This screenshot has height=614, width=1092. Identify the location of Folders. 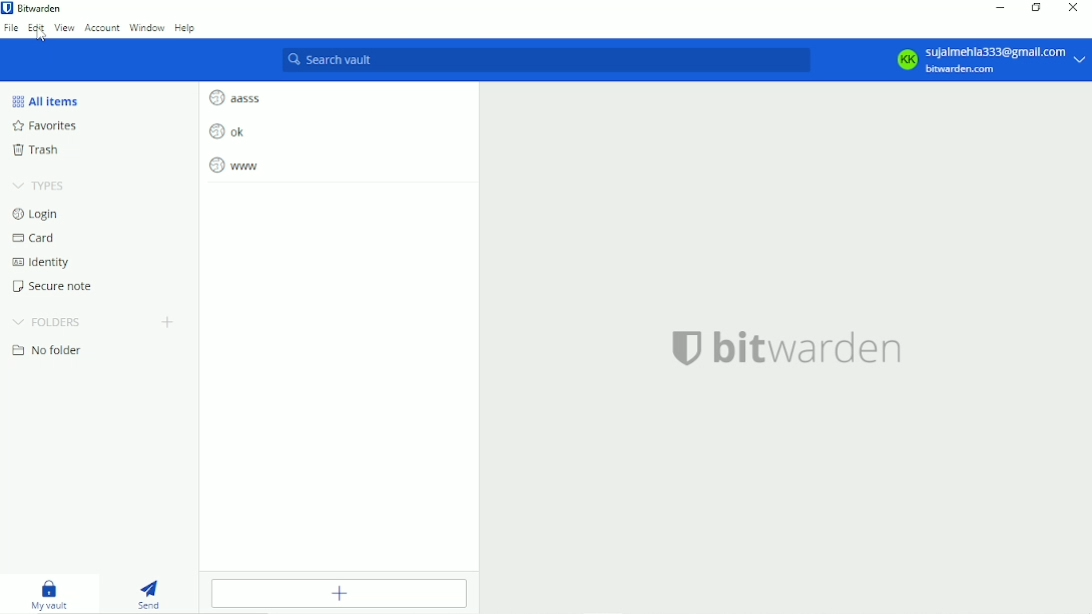
(47, 321).